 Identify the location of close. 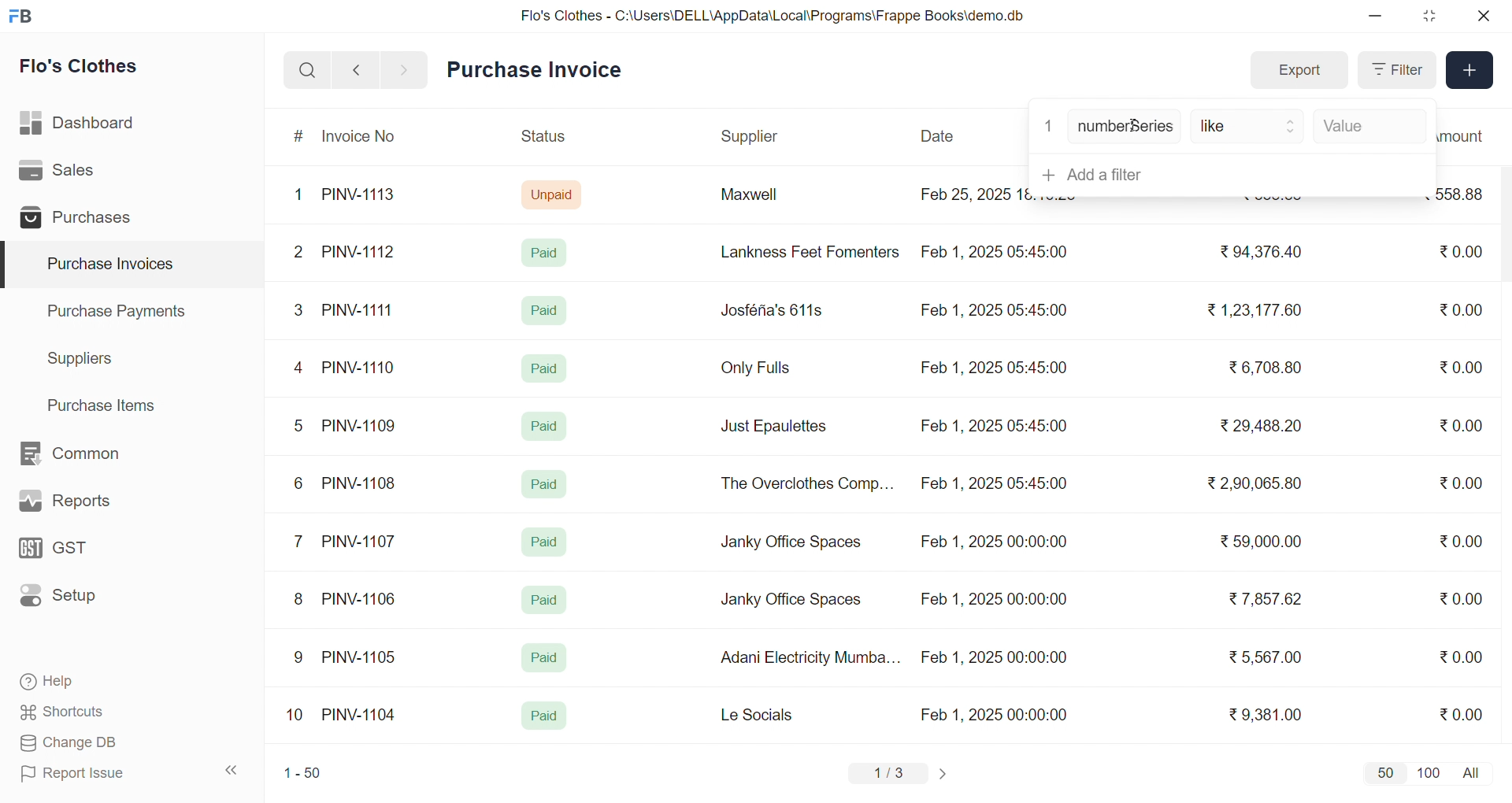
(1482, 16).